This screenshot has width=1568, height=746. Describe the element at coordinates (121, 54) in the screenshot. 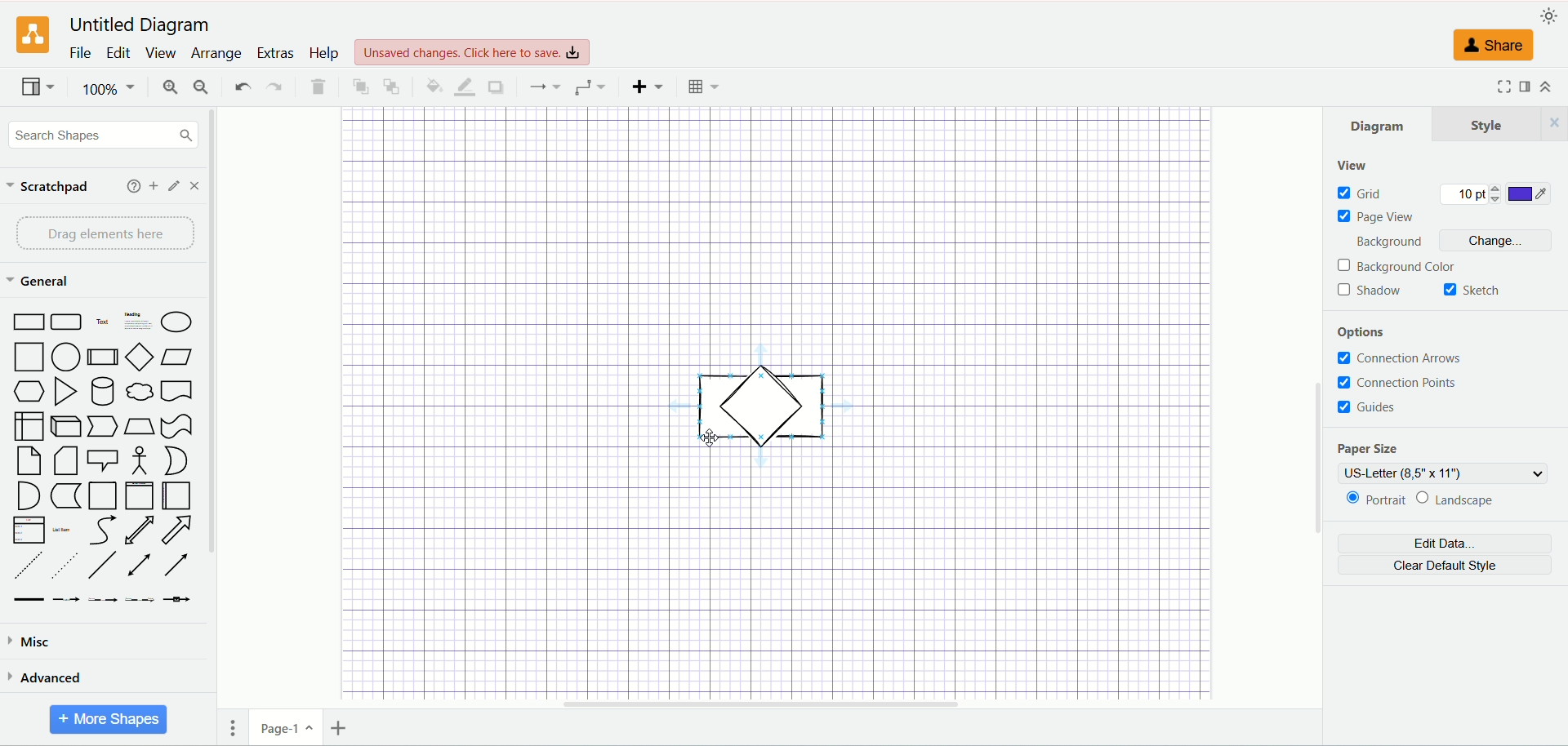

I see `edit` at that location.